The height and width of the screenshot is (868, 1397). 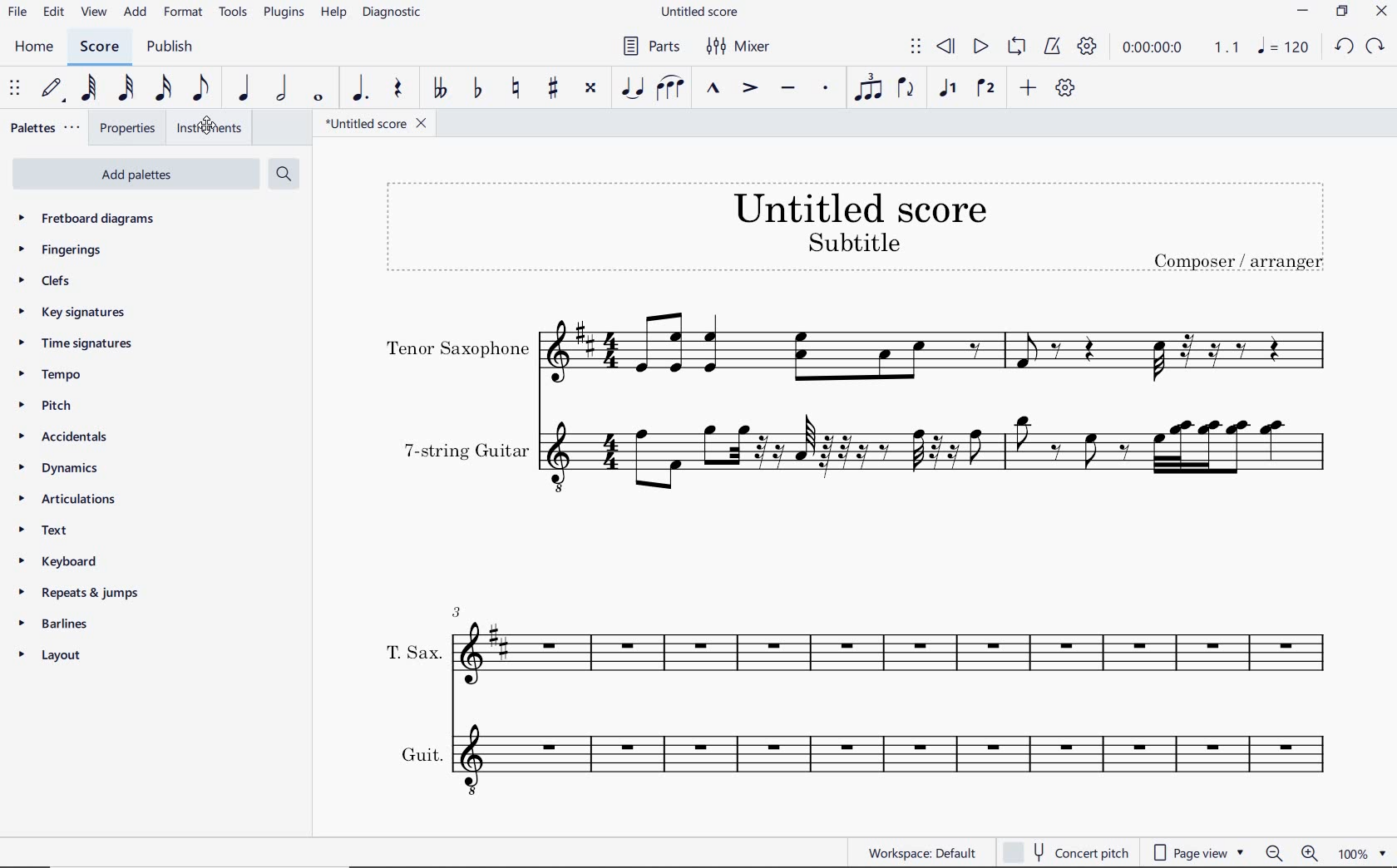 What do you see at coordinates (978, 47) in the screenshot?
I see `PLAY` at bounding box center [978, 47].